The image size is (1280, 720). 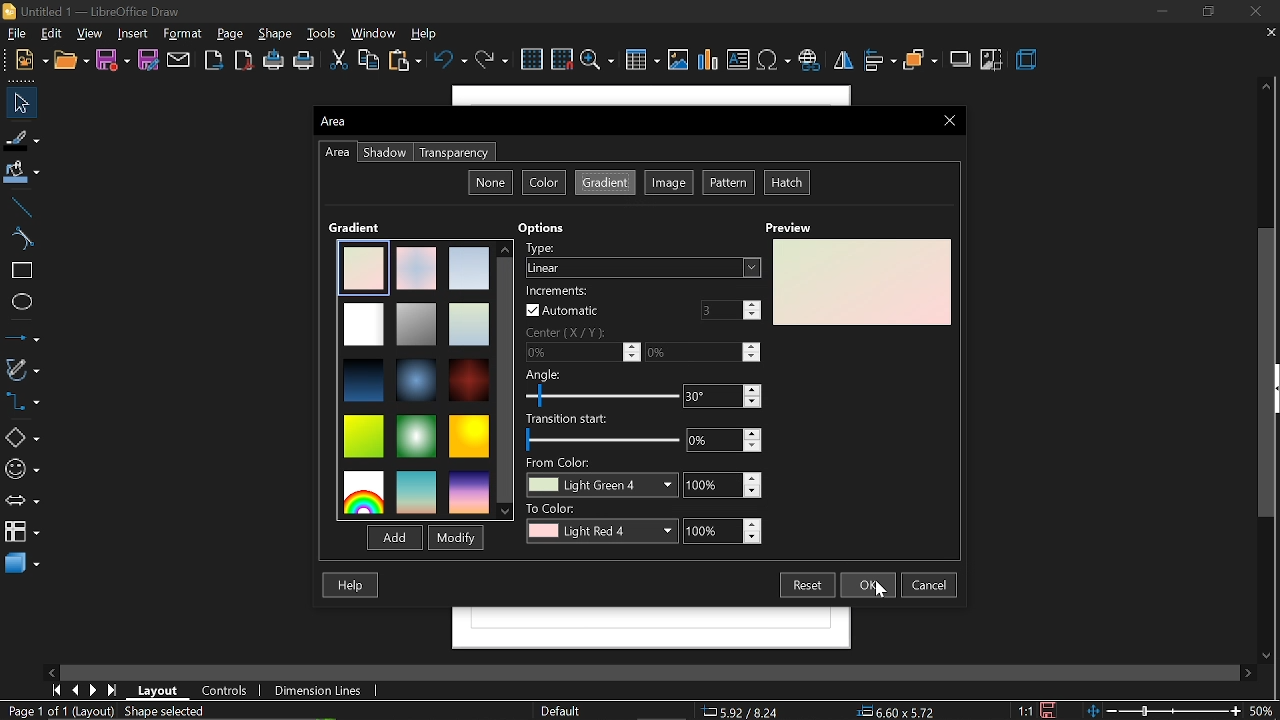 What do you see at coordinates (70, 61) in the screenshot?
I see `open` at bounding box center [70, 61].